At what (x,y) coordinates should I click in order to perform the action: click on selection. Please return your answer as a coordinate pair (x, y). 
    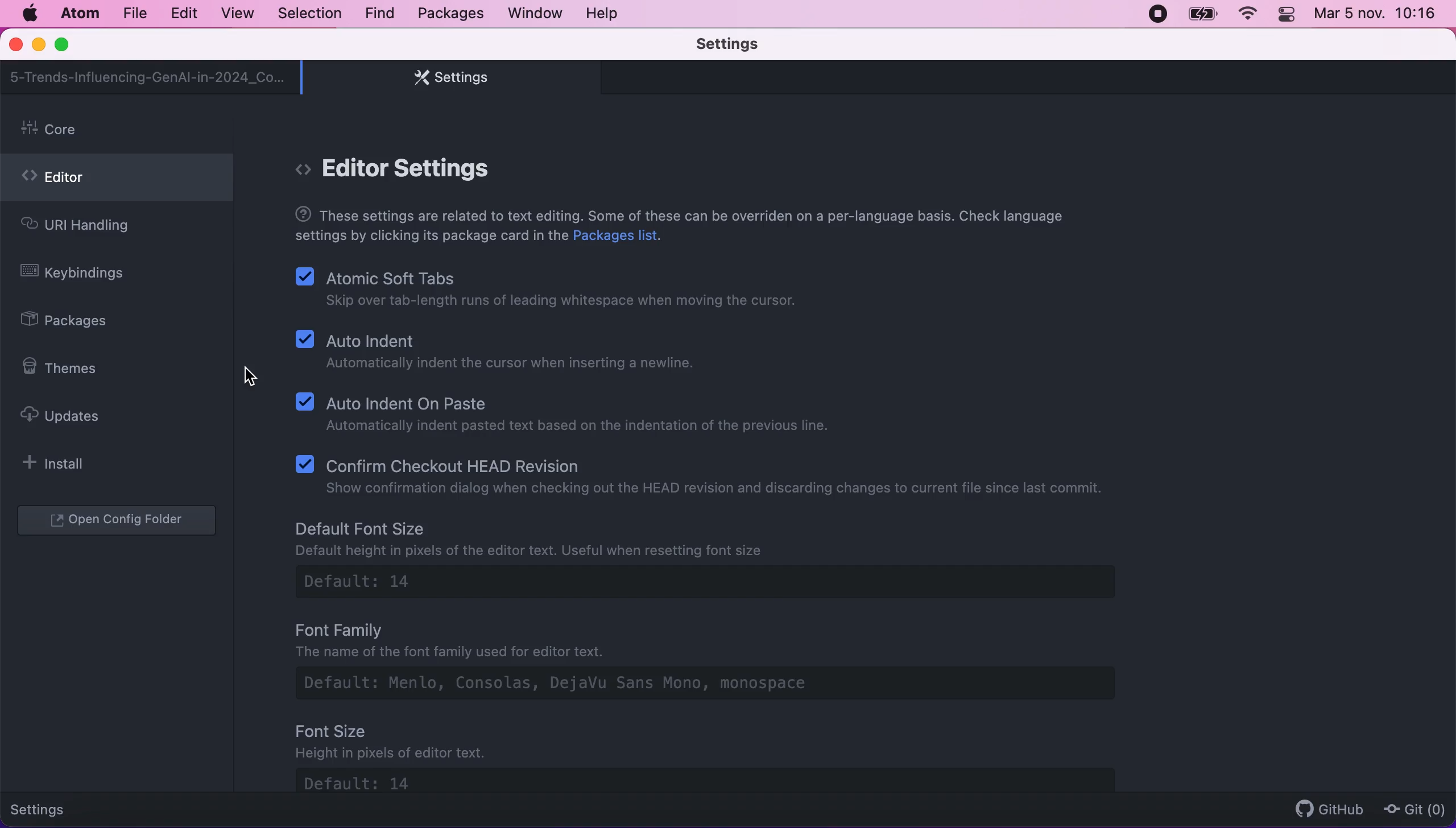
    Looking at the image, I should click on (311, 14).